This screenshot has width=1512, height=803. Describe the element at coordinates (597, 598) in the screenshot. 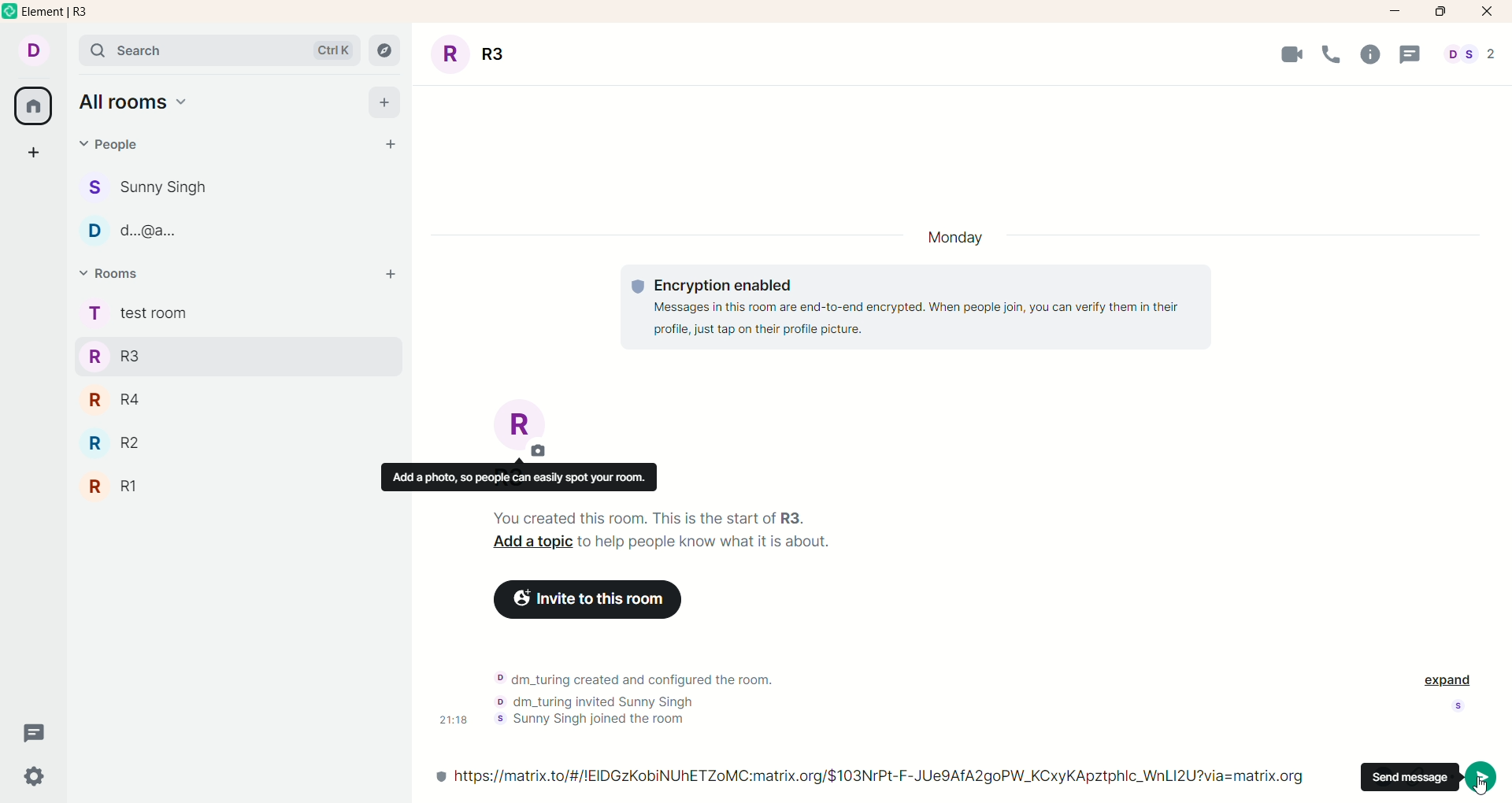

I see `invite to this room` at that location.